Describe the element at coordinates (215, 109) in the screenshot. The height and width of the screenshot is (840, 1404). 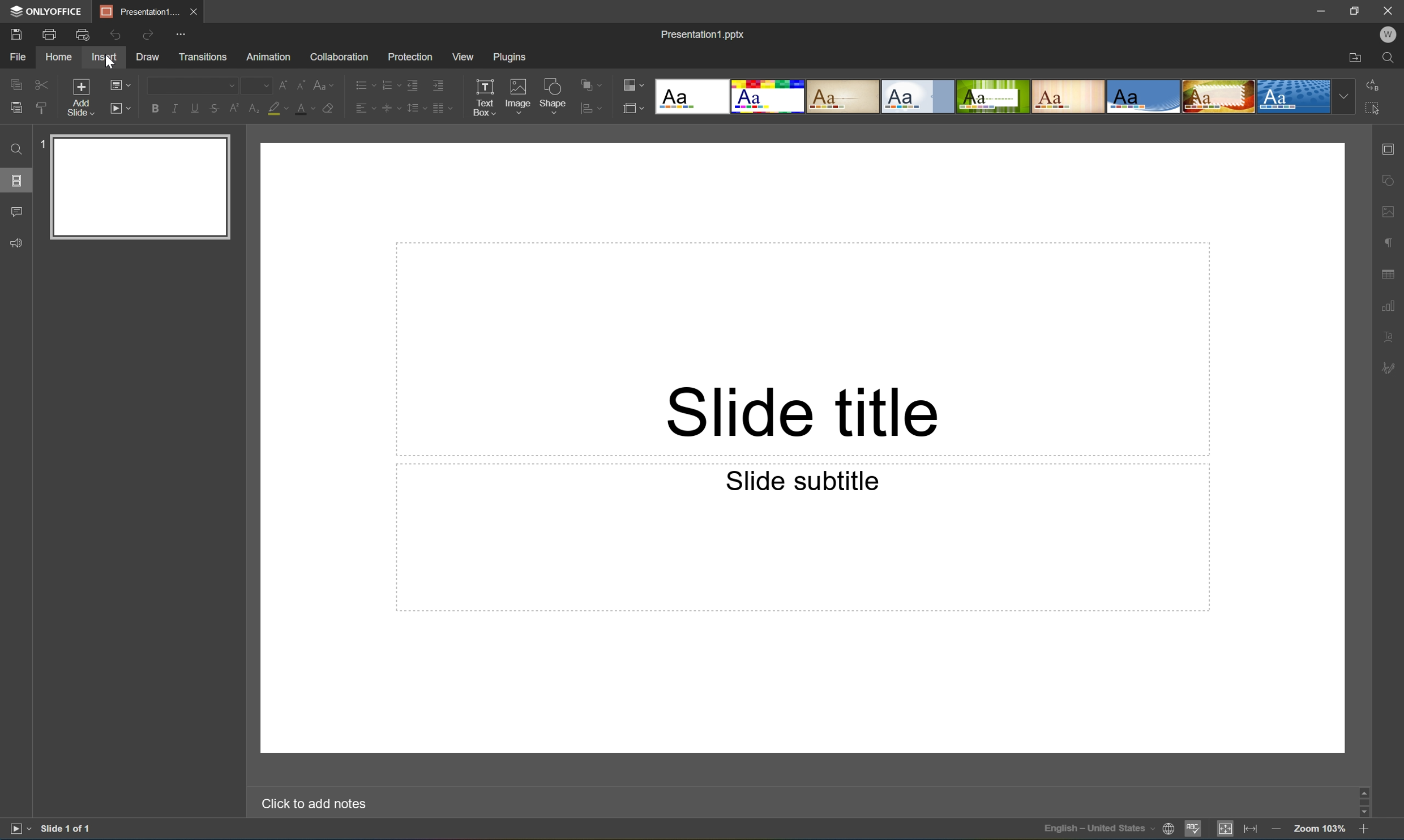
I see `Strikethrough` at that location.